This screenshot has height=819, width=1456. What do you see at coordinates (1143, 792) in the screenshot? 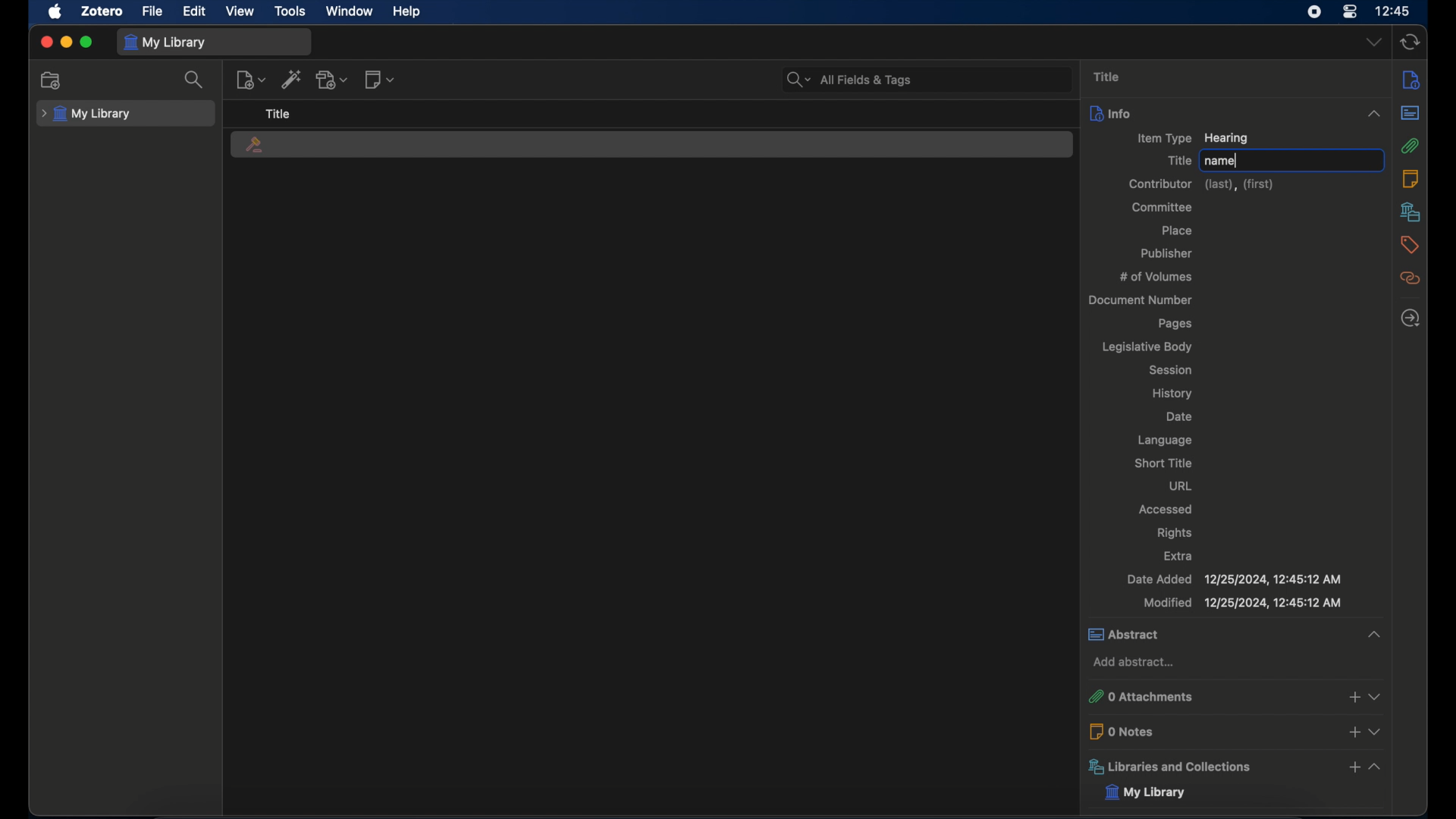
I see `my library` at bounding box center [1143, 792].